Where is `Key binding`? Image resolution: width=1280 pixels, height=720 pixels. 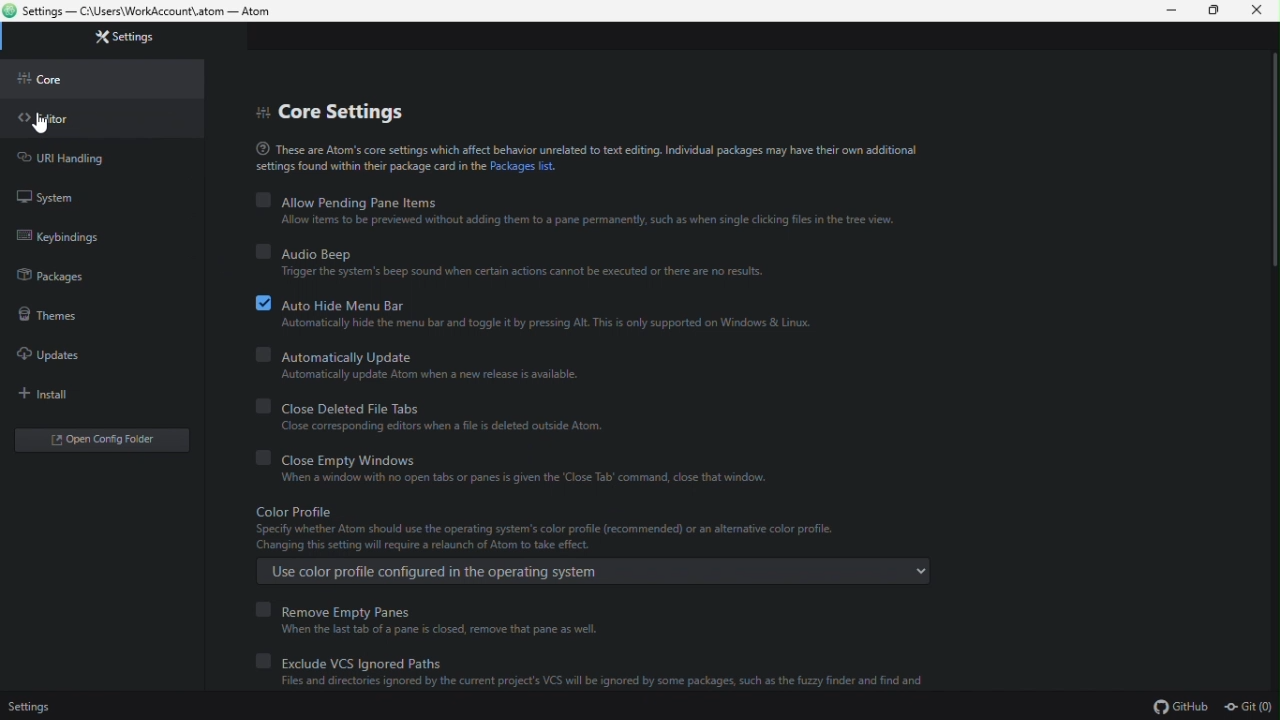
Key binding is located at coordinates (69, 238).